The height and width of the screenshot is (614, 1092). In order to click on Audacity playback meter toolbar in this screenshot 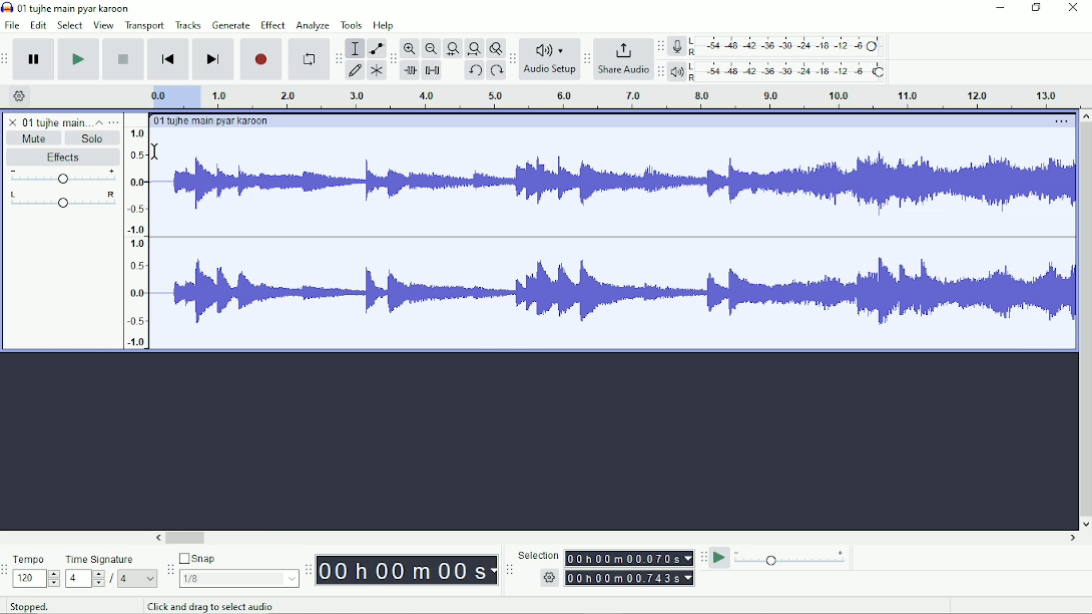, I will do `click(660, 71)`.